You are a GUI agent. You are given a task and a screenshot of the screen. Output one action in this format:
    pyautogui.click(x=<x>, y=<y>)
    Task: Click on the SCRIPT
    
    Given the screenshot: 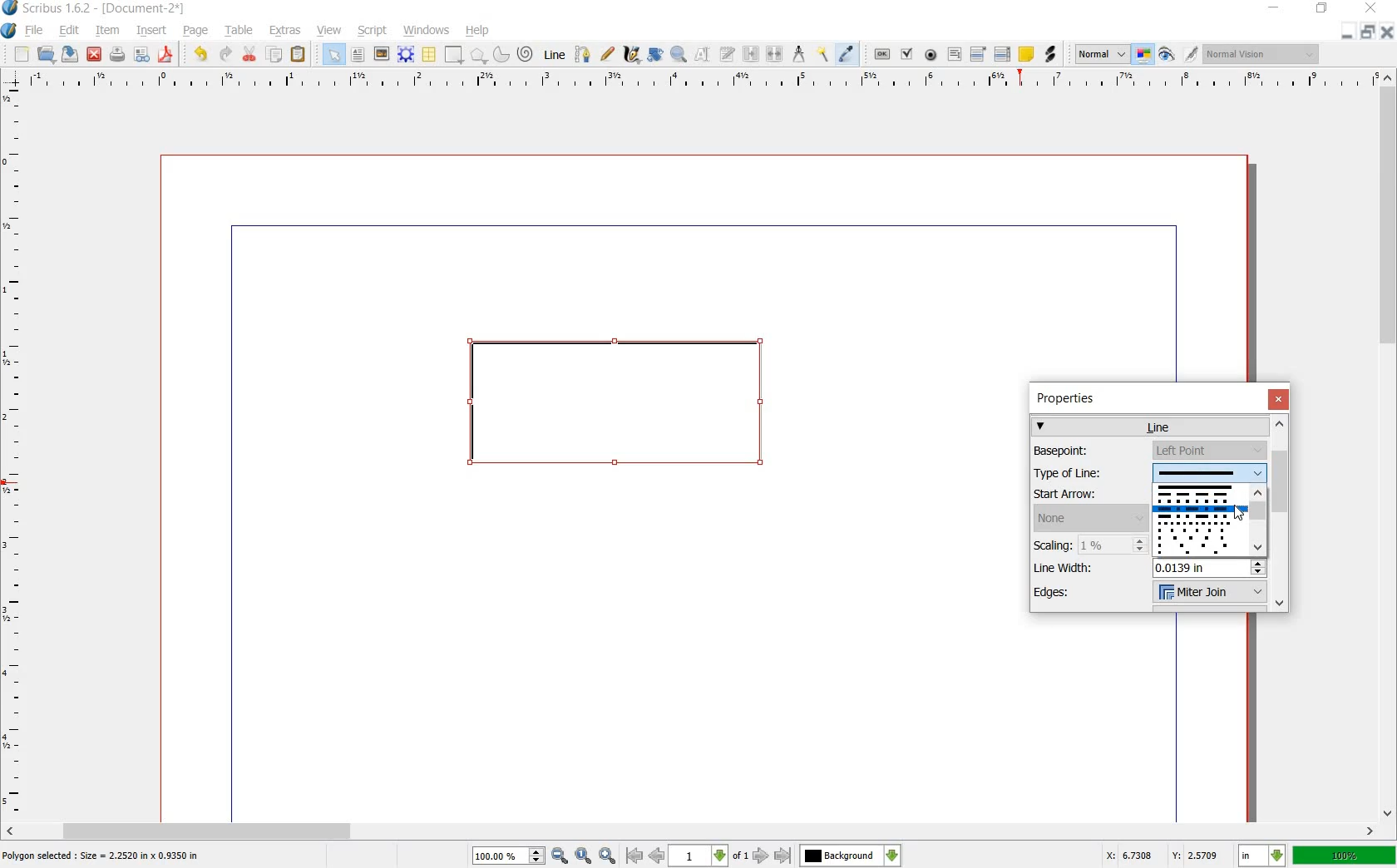 What is the action you would take?
    pyautogui.click(x=370, y=31)
    